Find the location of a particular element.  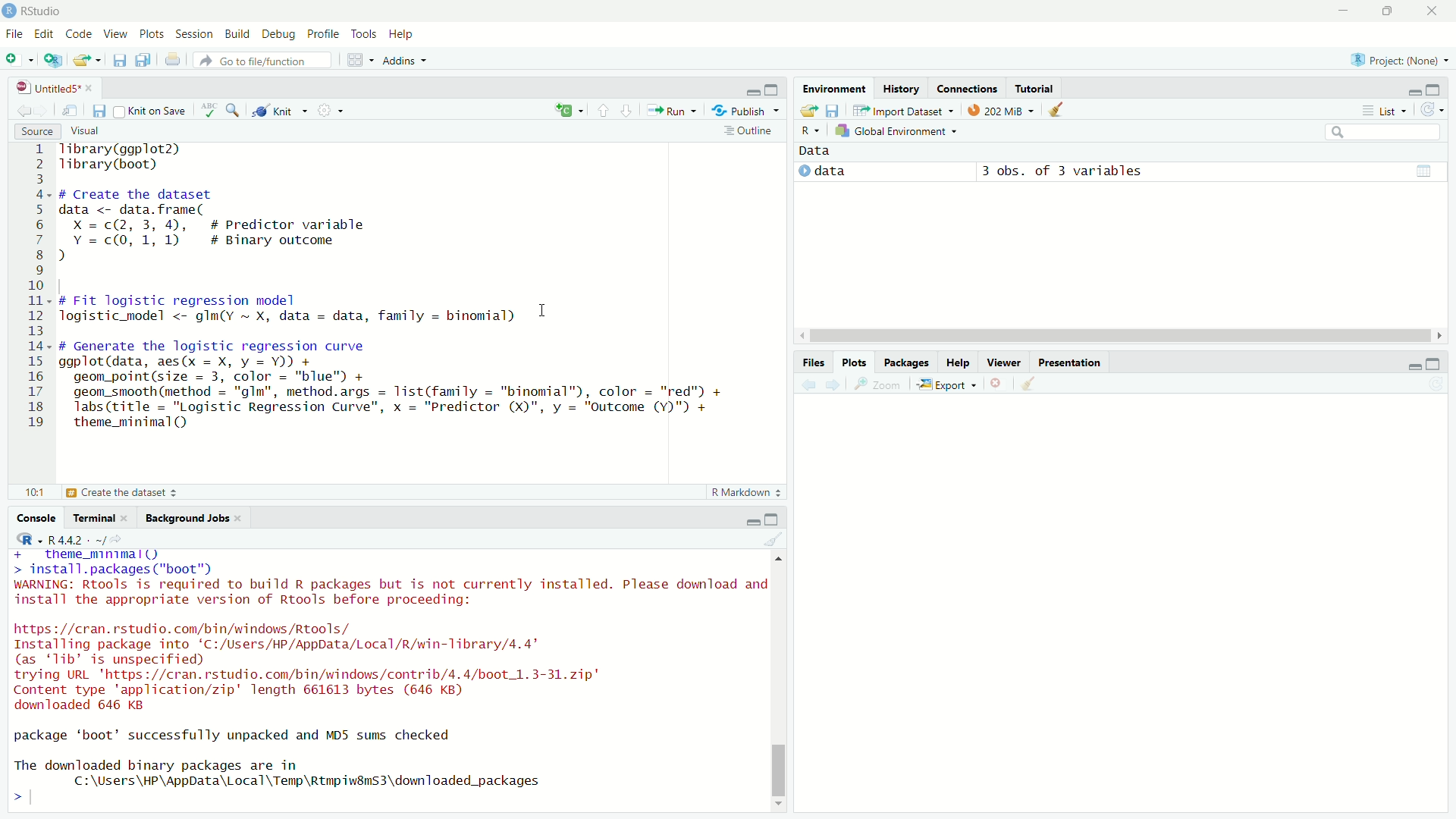

maximize is located at coordinates (1433, 90).